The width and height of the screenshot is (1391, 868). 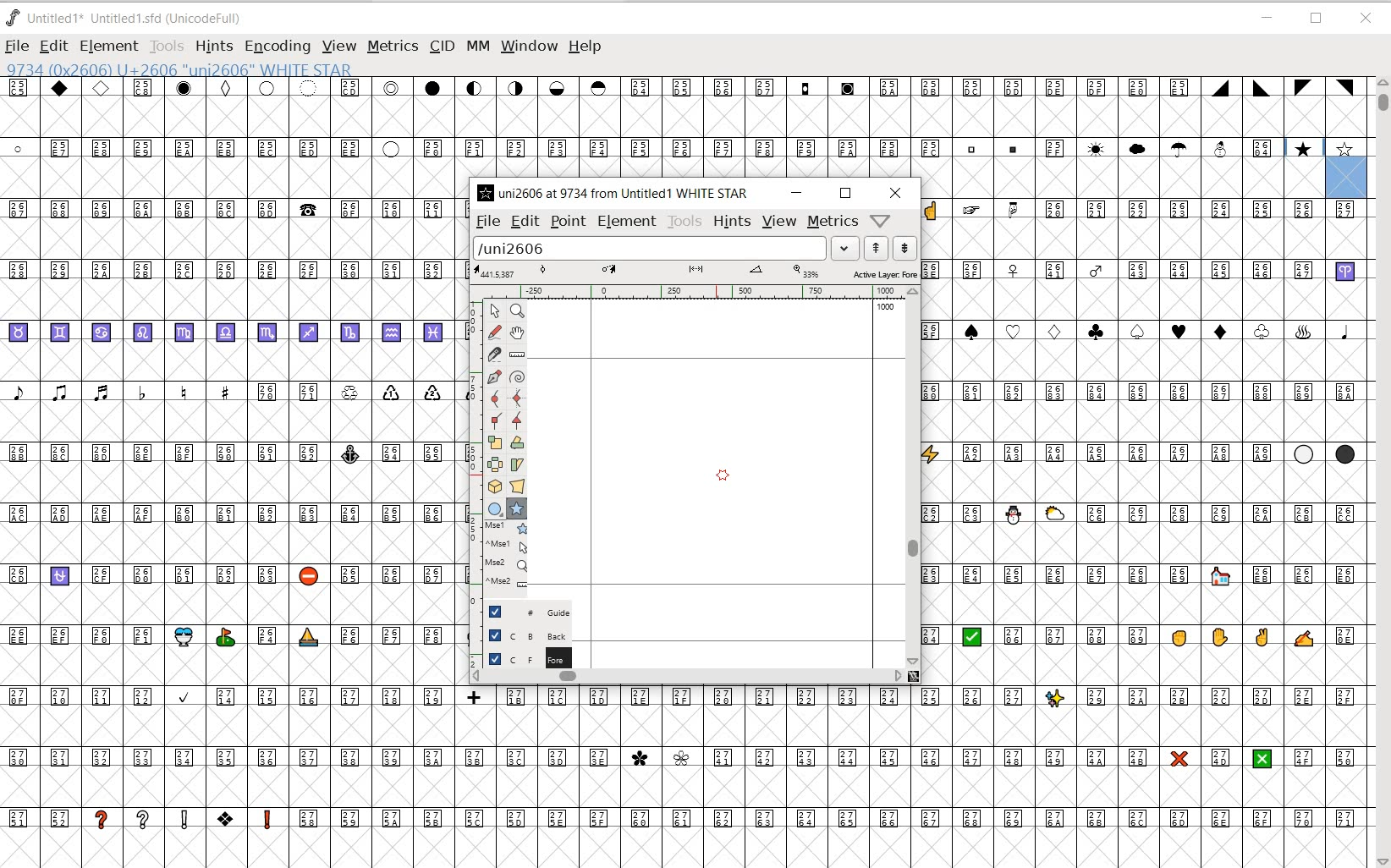 I want to click on TOOLS, so click(x=168, y=47).